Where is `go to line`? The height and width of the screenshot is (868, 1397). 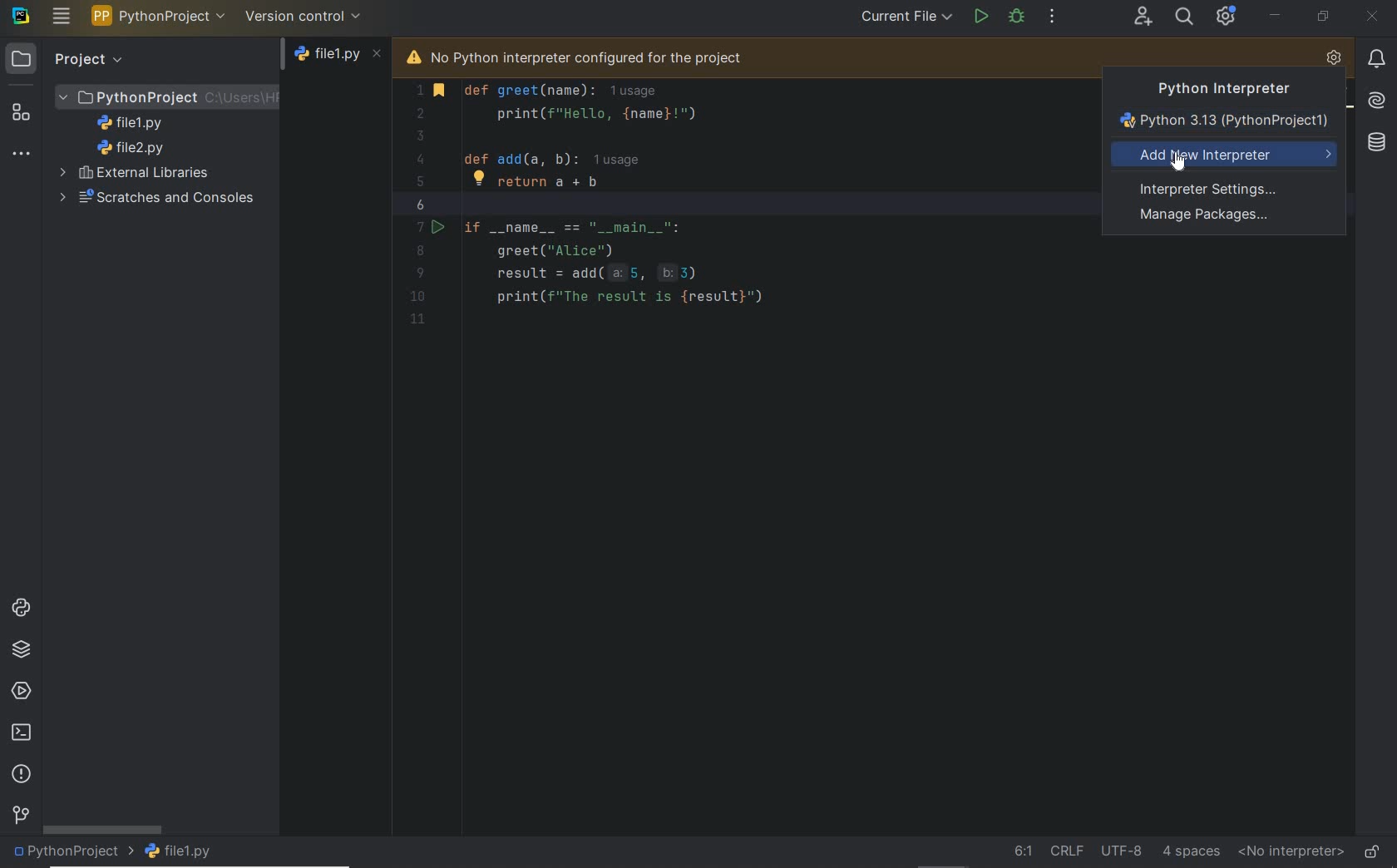
go to line is located at coordinates (1022, 851).